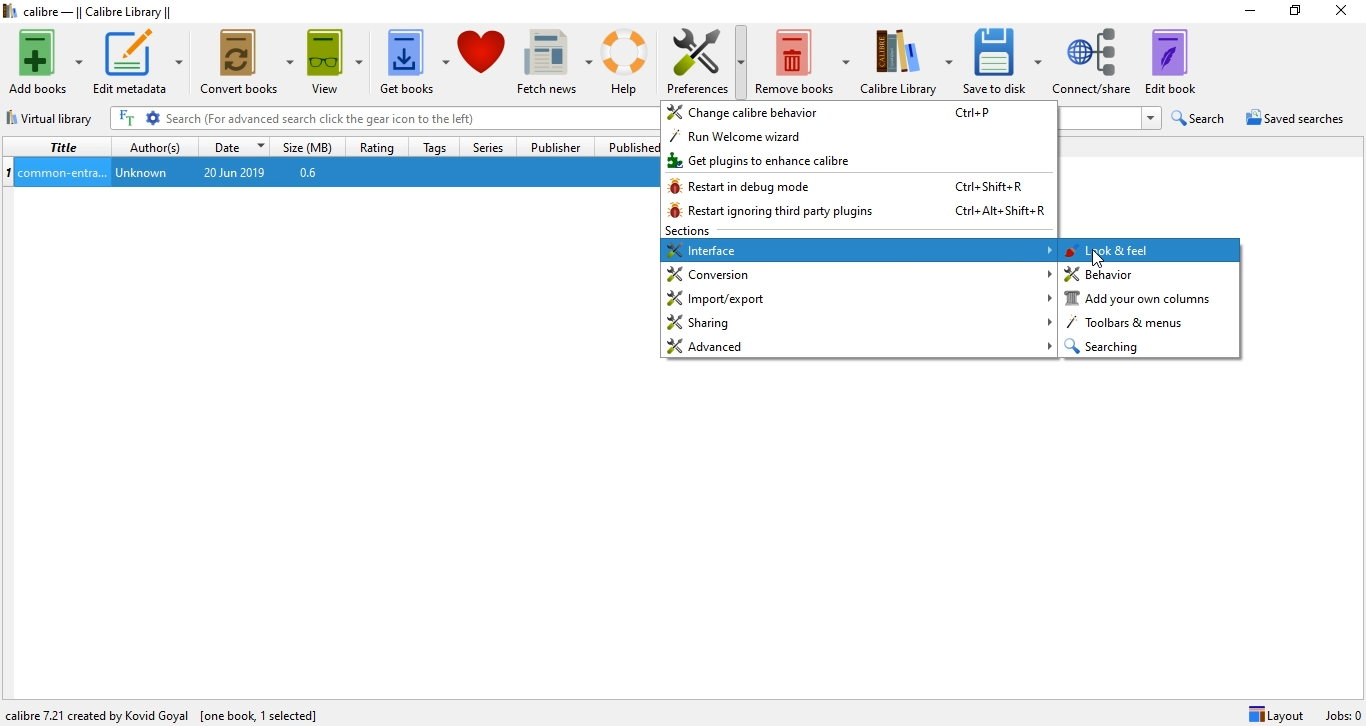  What do you see at coordinates (237, 145) in the screenshot?
I see `Date` at bounding box center [237, 145].